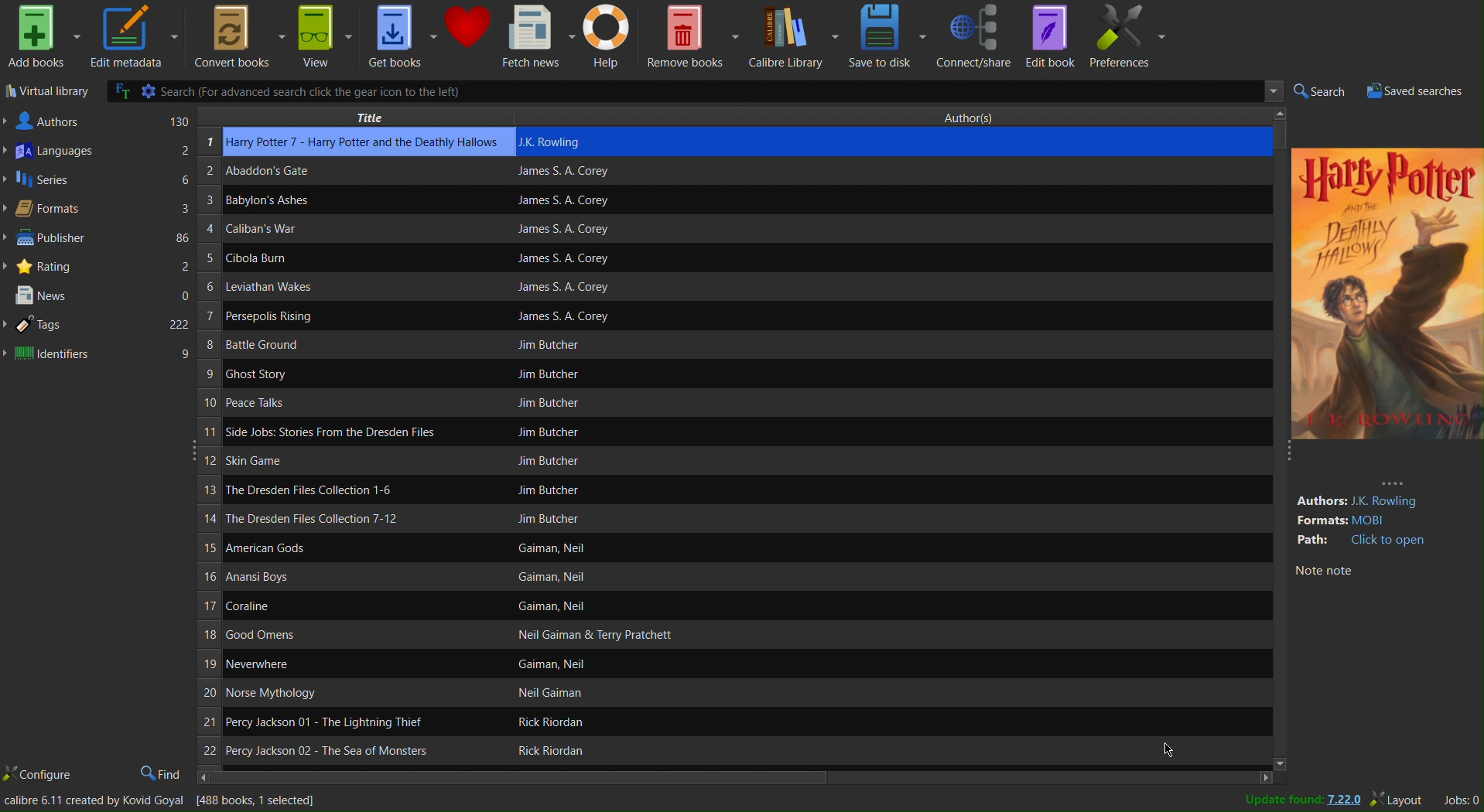 The height and width of the screenshot is (812, 1484). What do you see at coordinates (625, 607) in the screenshot?
I see `Author’s name` at bounding box center [625, 607].